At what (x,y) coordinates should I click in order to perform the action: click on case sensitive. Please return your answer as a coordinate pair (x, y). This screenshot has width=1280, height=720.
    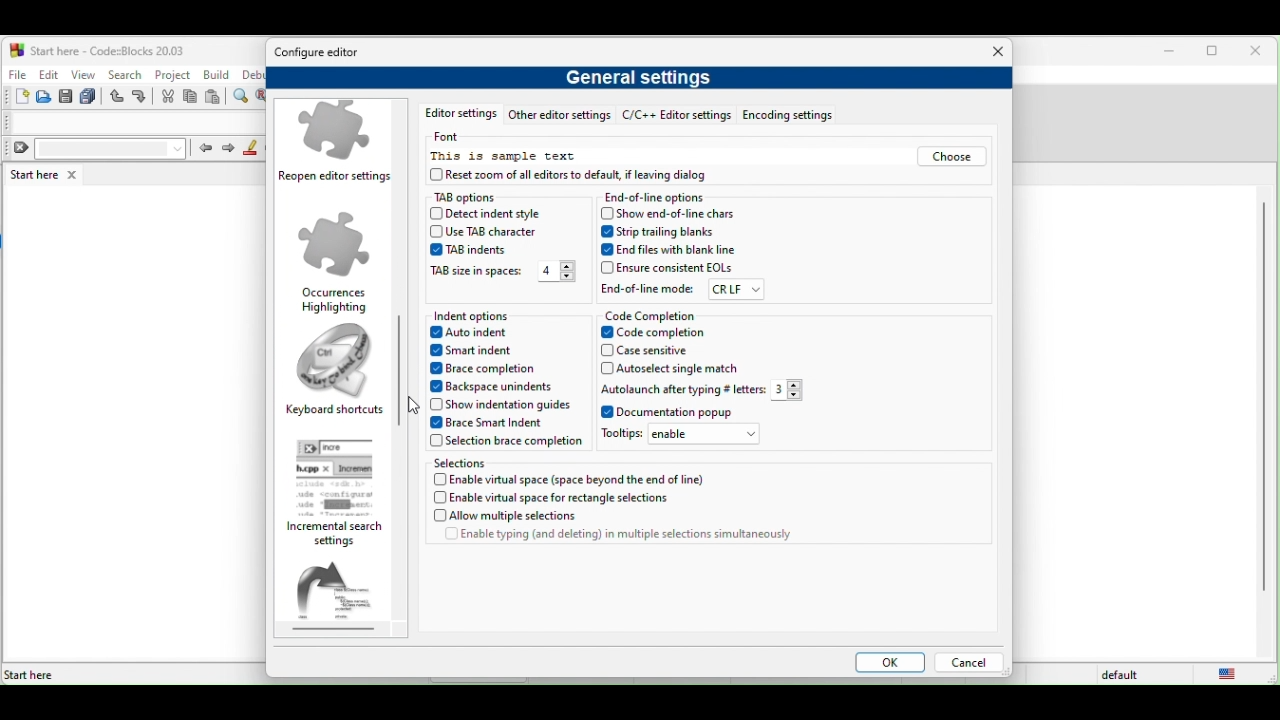
    Looking at the image, I should click on (658, 351).